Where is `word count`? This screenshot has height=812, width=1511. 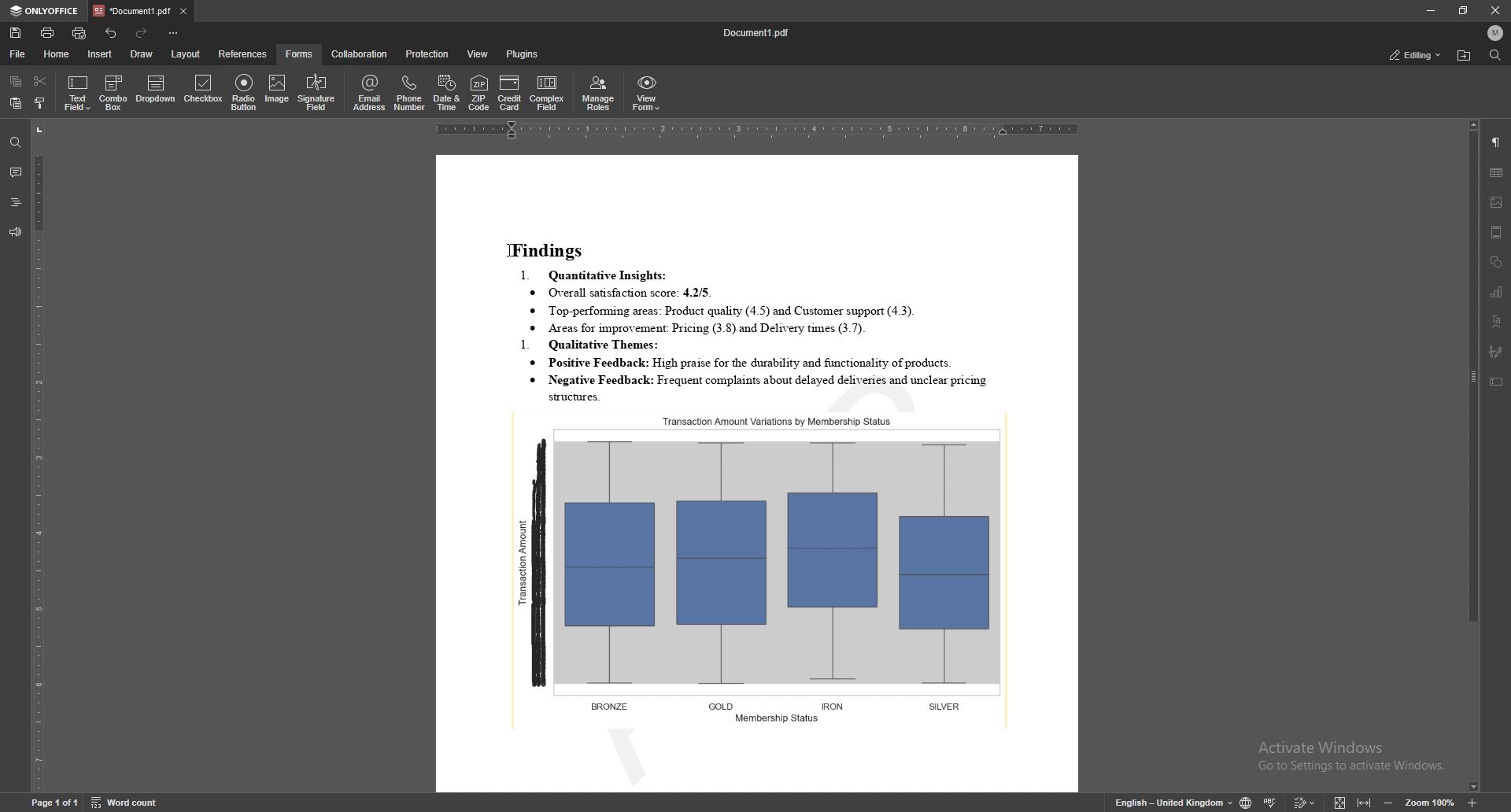
word count is located at coordinates (133, 803).